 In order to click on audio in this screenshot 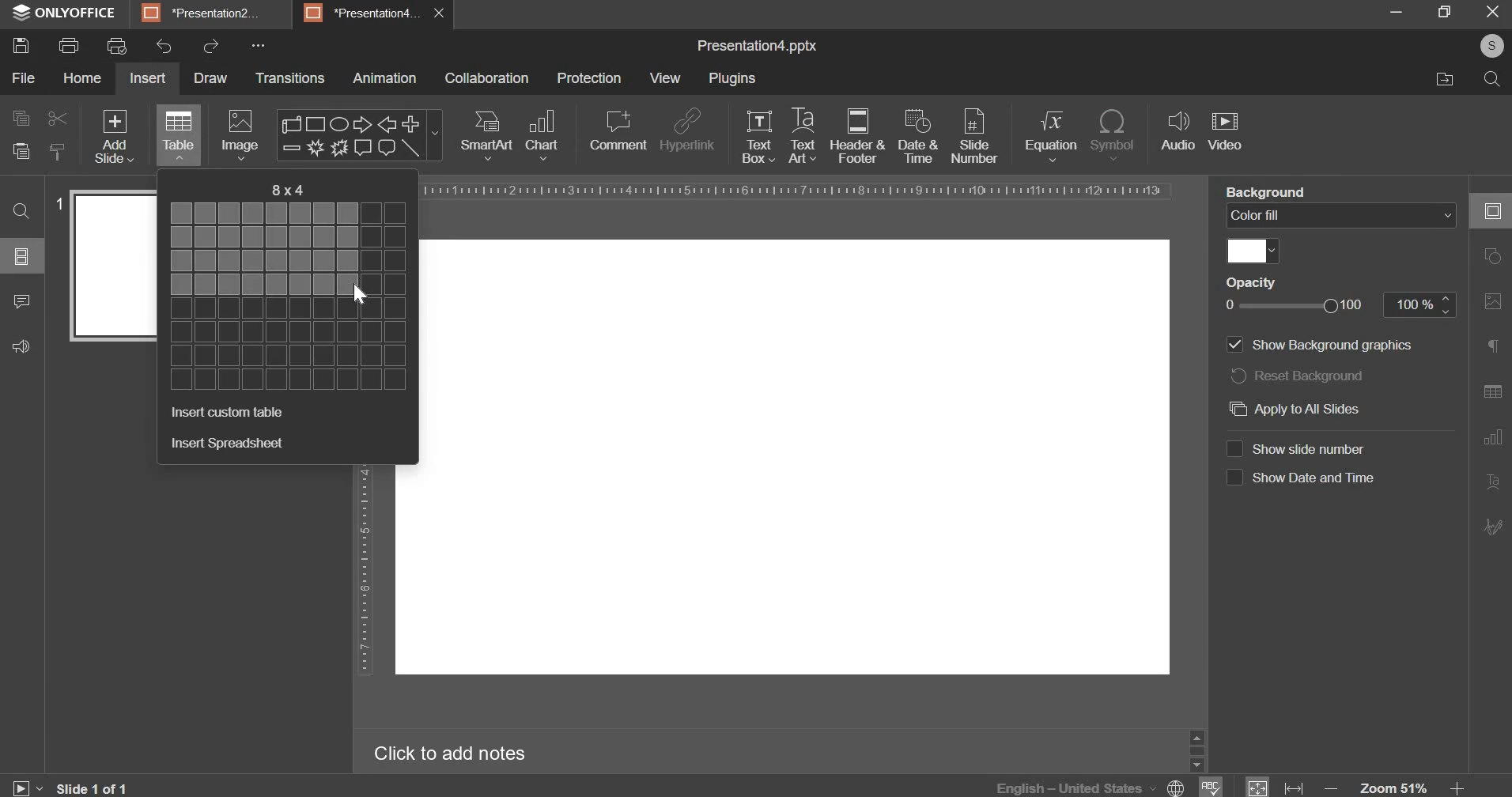, I will do `click(1178, 132)`.